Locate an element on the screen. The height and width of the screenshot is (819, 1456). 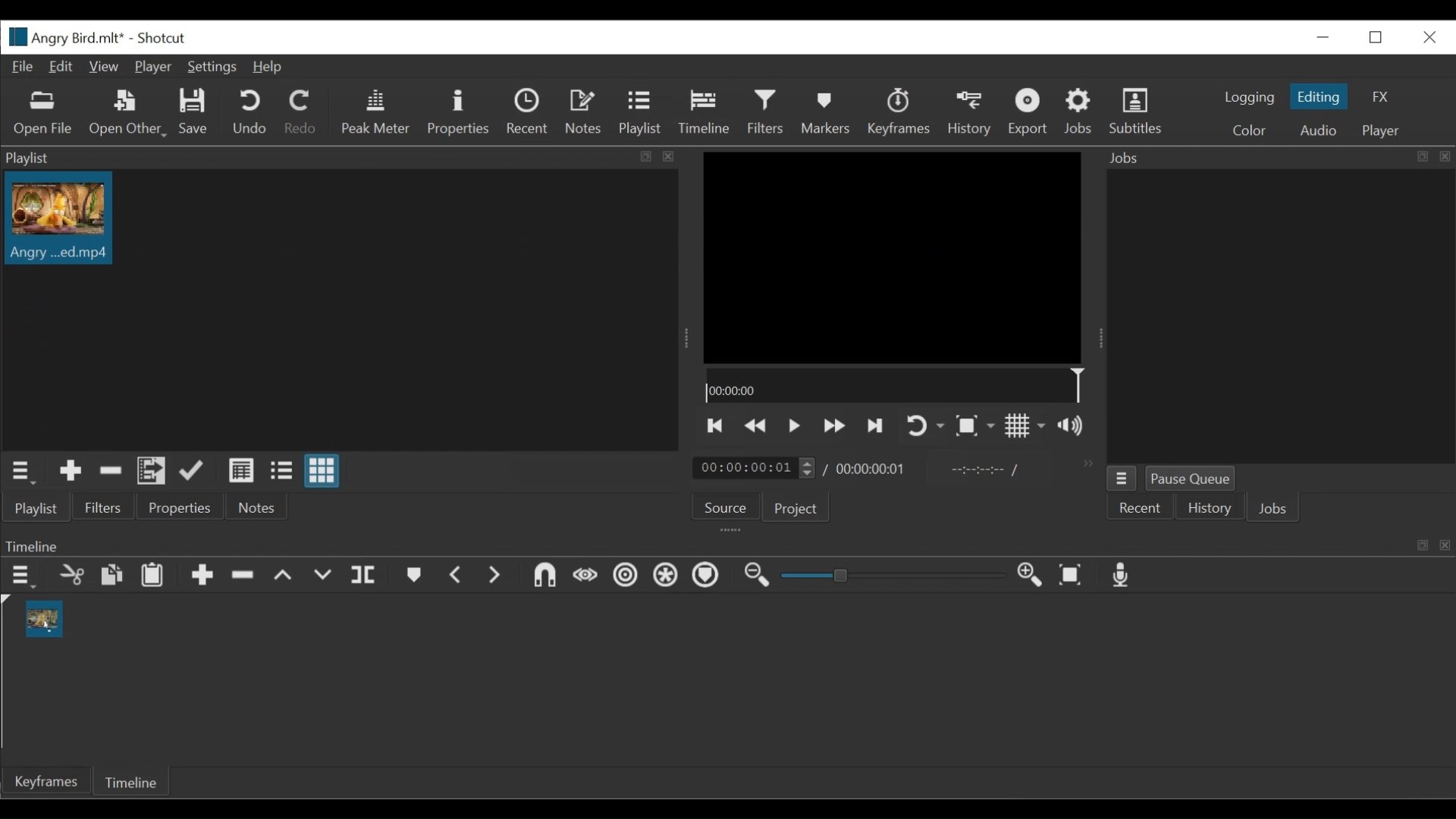
FX is located at coordinates (1385, 99).